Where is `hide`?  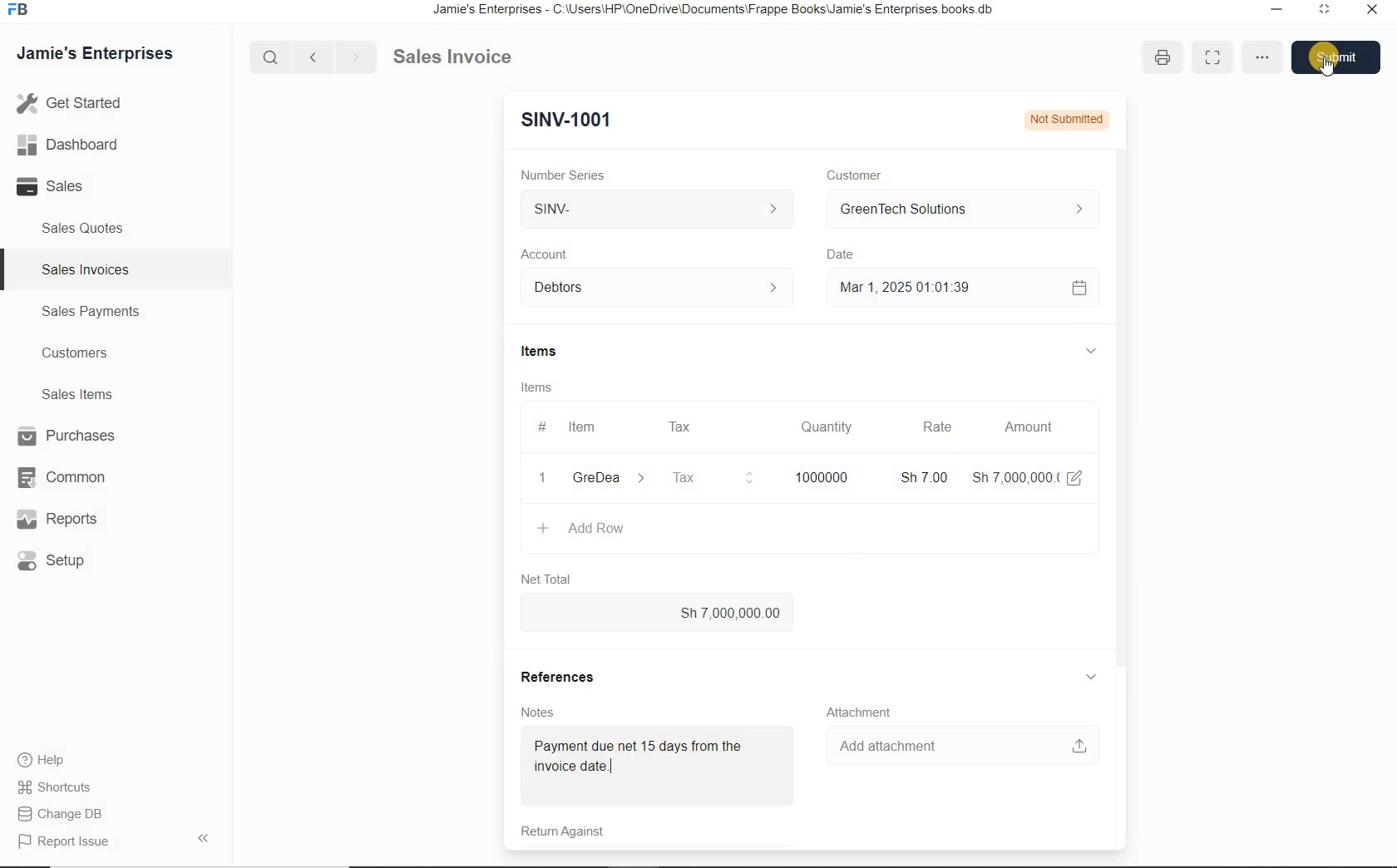 hide is located at coordinates (203, 838).